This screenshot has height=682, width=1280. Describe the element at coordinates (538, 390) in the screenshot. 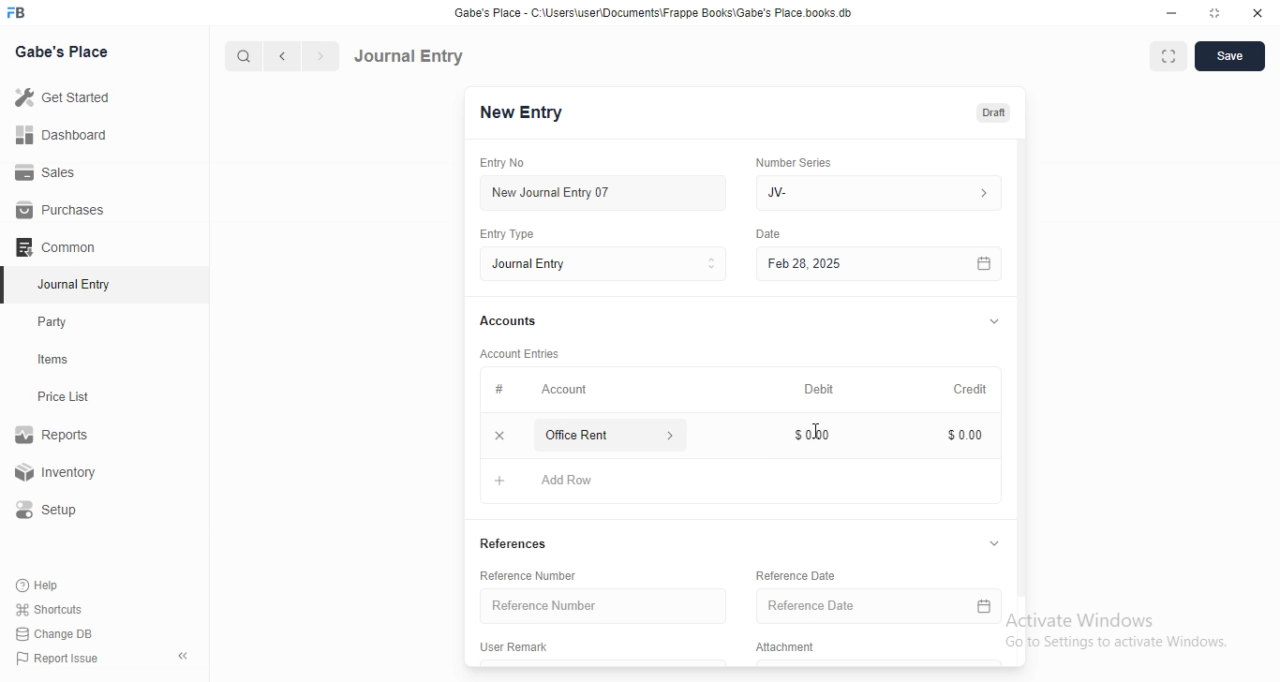

I see `# Account` at that location.